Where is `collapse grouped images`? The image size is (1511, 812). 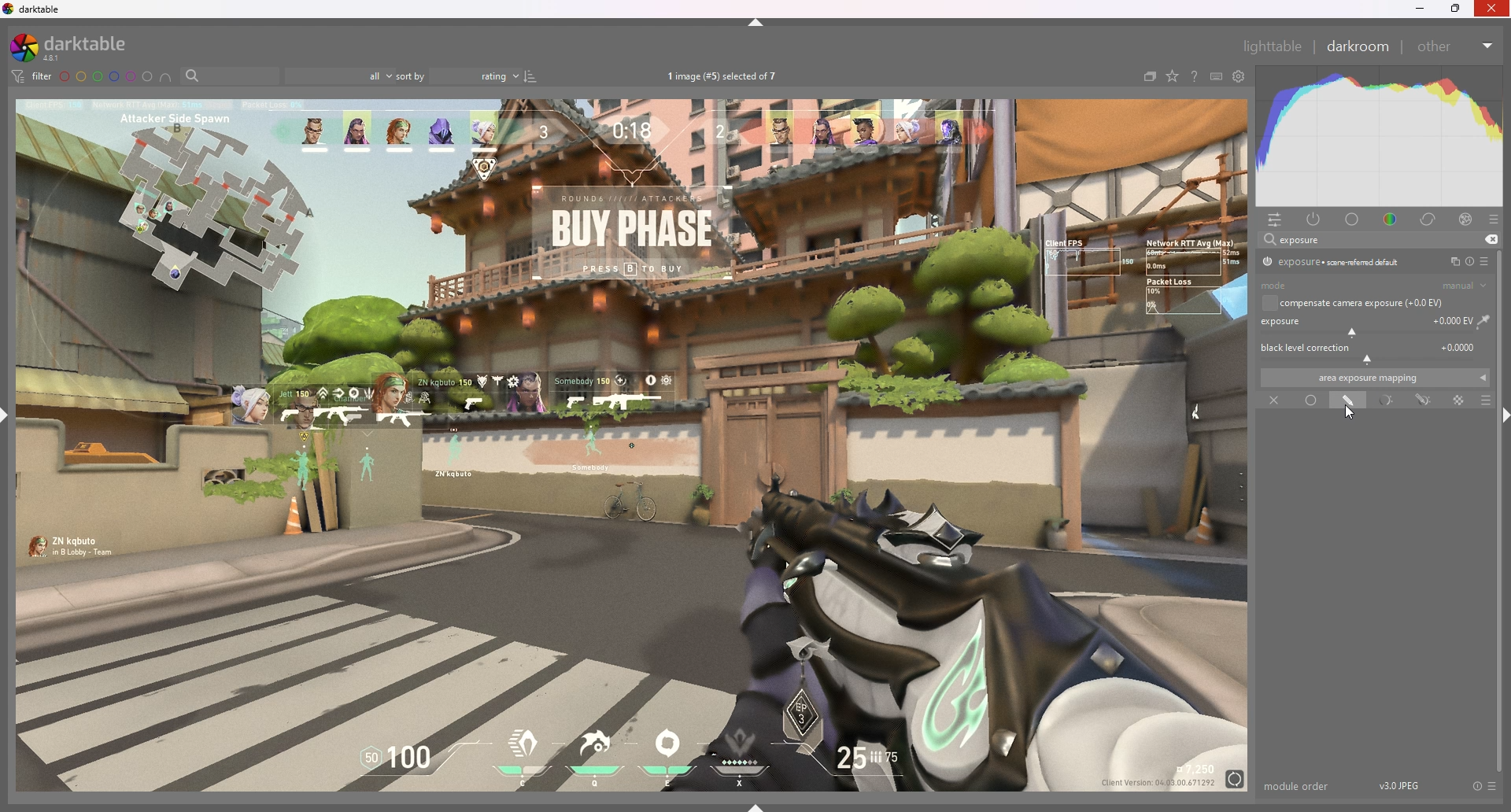 collapse grouped images is located at coordinates (1149, 78).